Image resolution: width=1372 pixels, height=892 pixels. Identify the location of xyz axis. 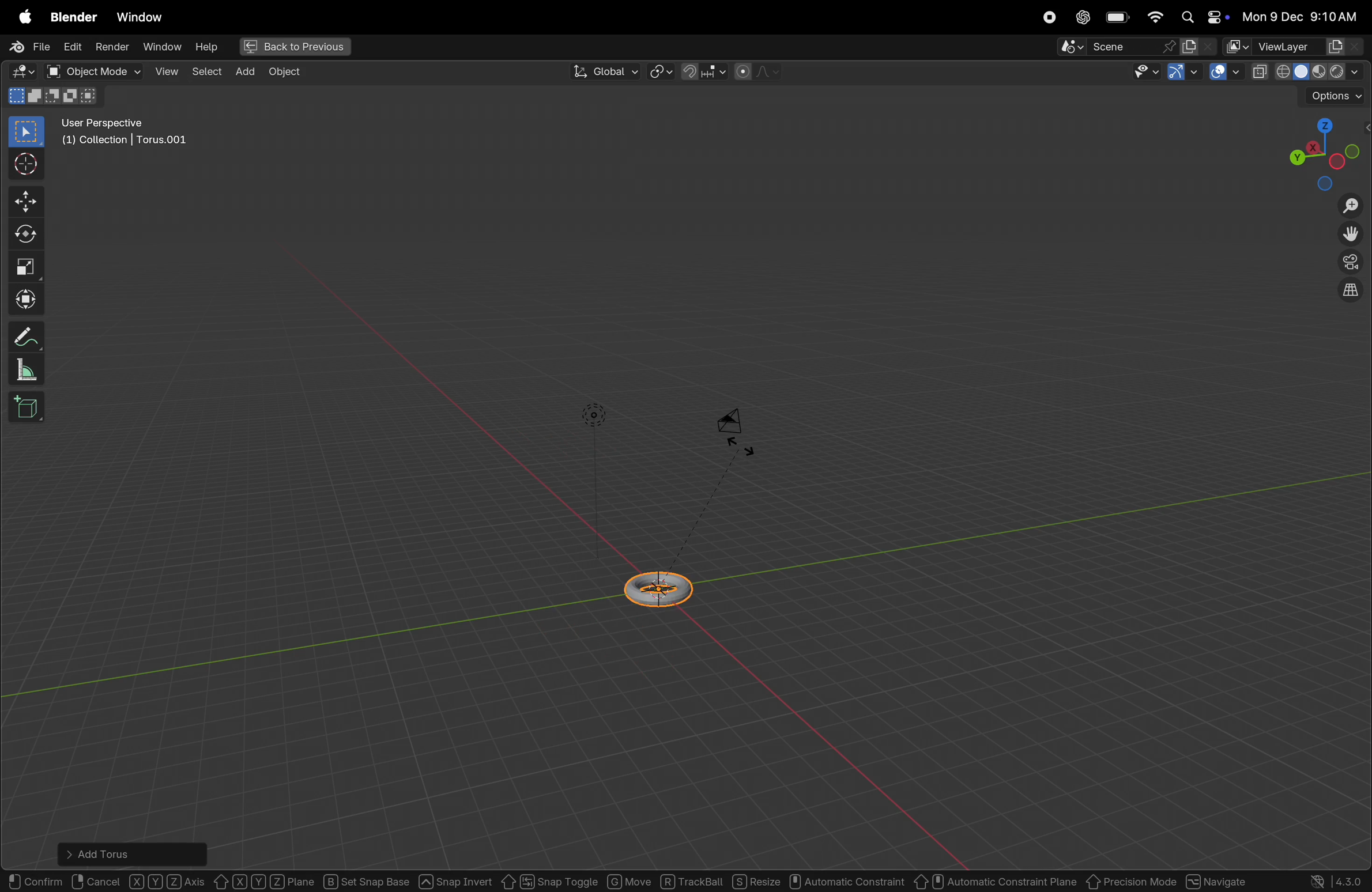
(168, 879).